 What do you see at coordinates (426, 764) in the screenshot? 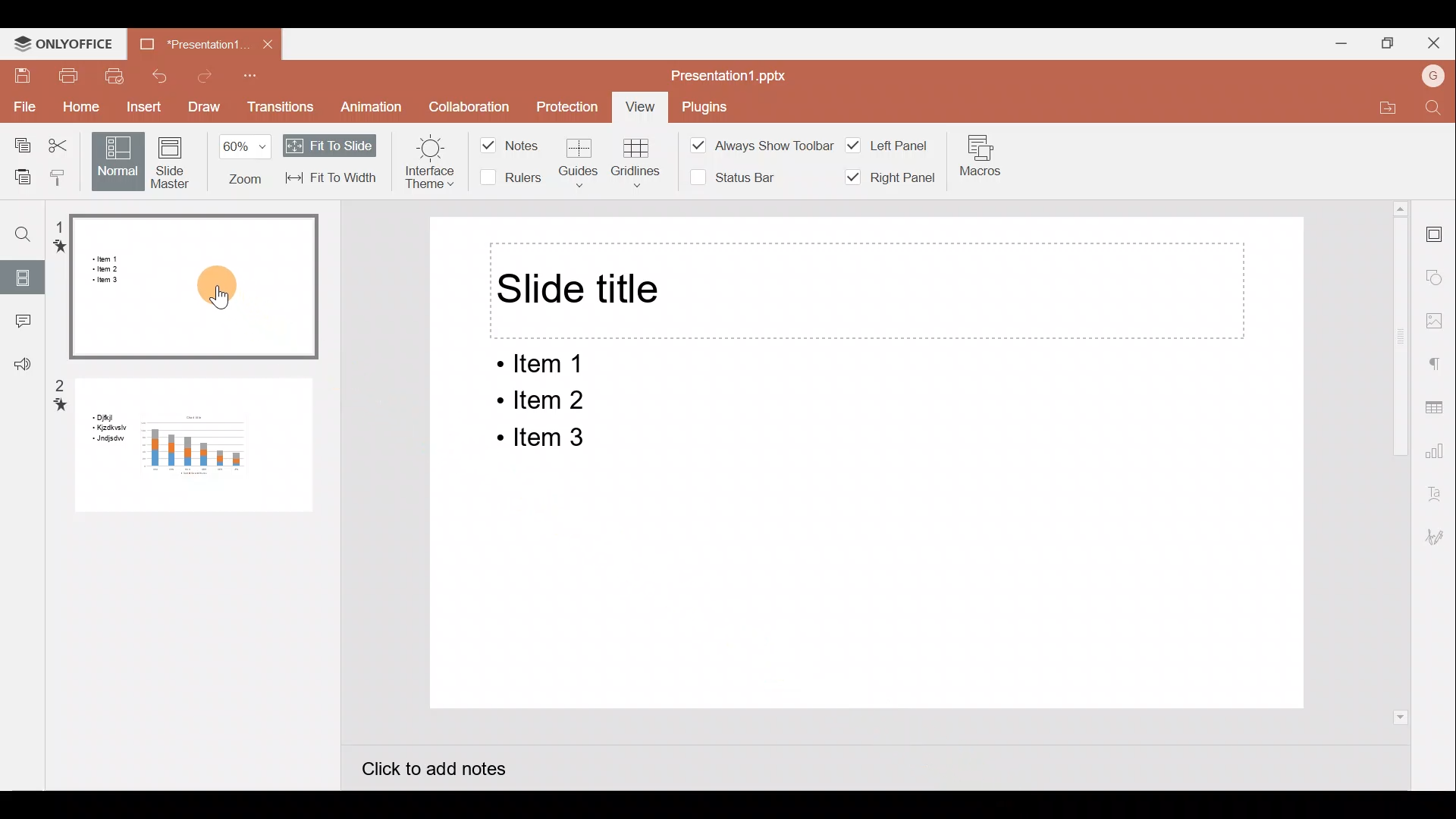
I see `Click to add notes` at bounding box center [426, 764].